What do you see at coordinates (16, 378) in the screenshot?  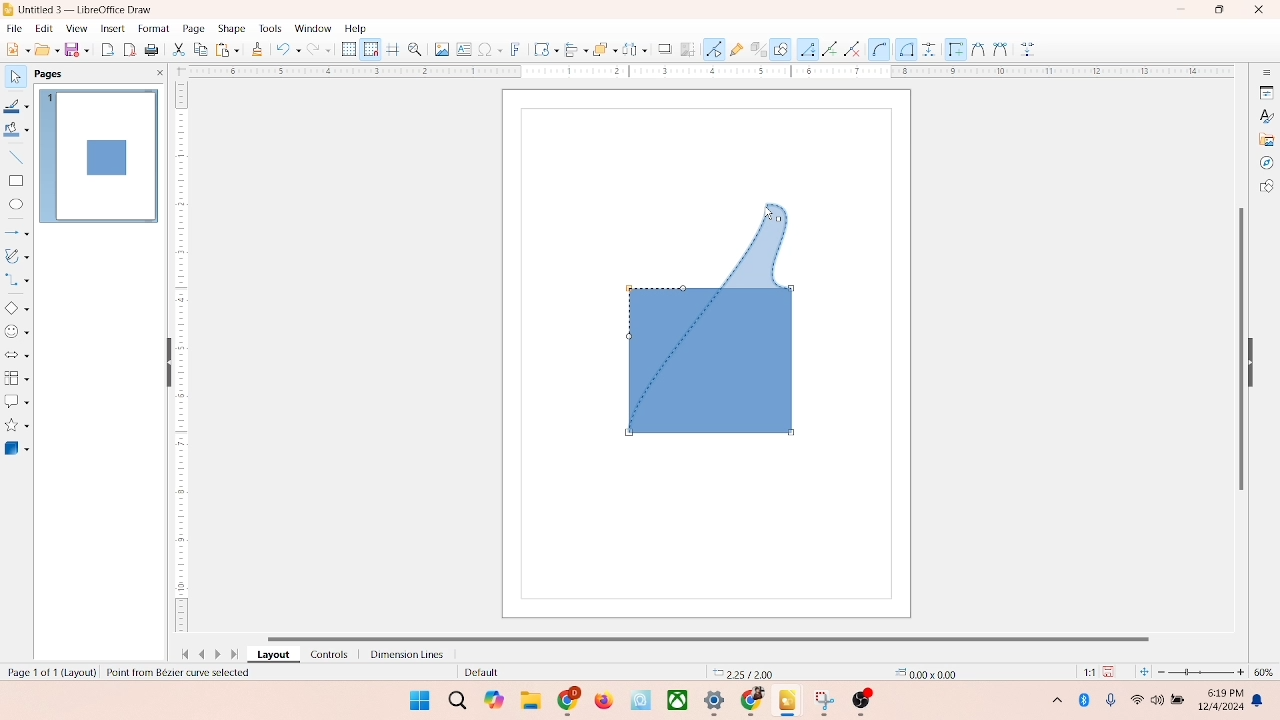 I see `flowchart` at bounding box center [16, 378].